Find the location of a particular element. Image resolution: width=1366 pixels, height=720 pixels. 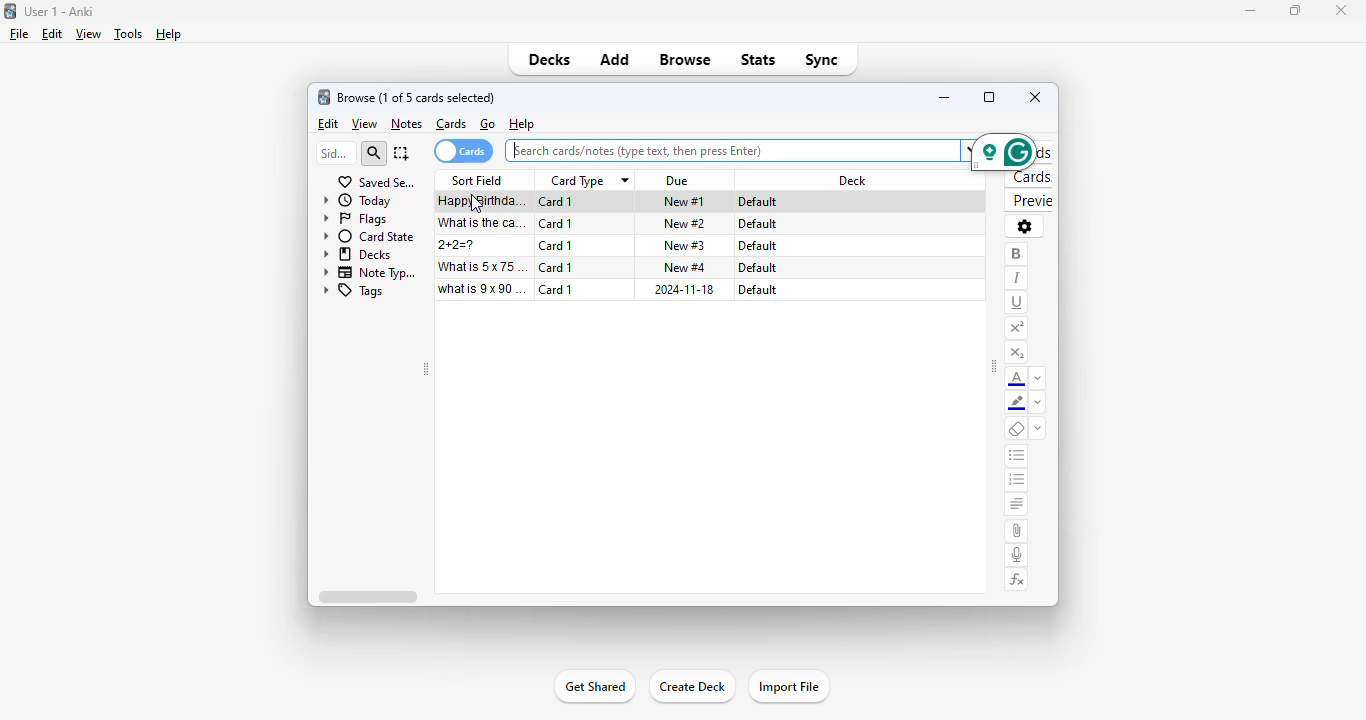

select formatting to remove is located at coordinates (1037, 429).